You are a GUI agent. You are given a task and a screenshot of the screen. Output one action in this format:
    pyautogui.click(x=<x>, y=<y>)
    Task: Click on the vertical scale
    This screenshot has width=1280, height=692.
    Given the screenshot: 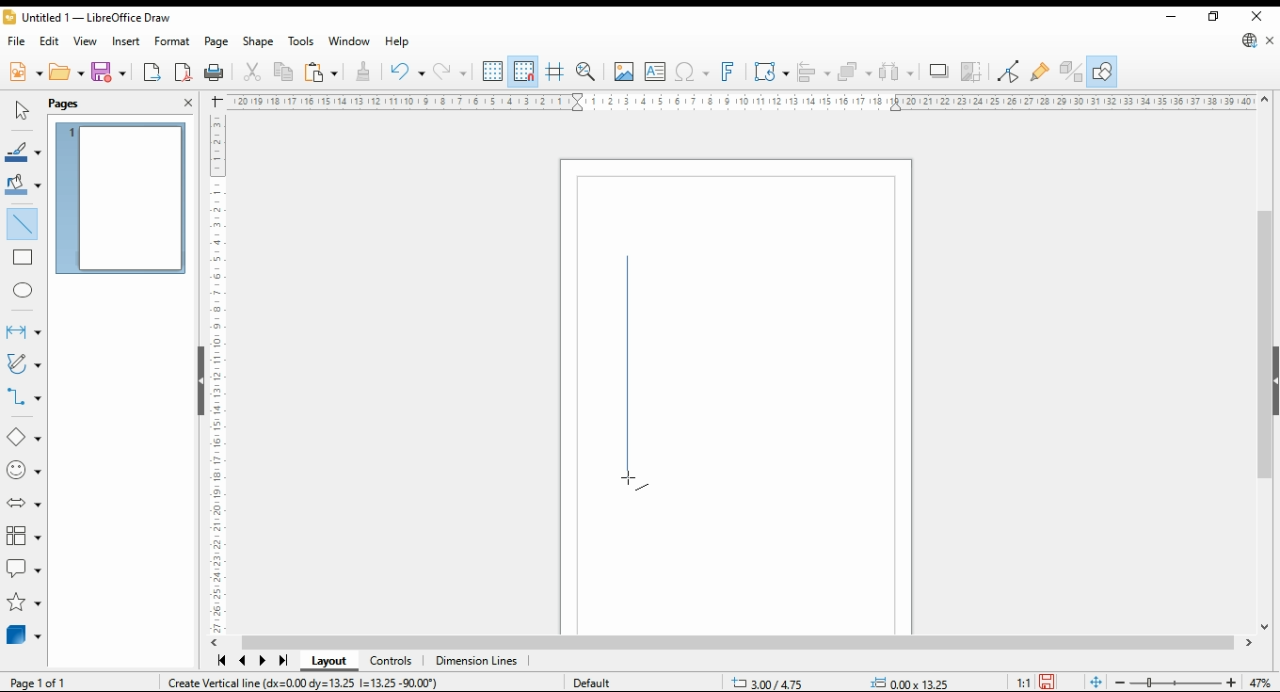 What is the action you would take?
    pyautogui.click(x=219, y=369)
    